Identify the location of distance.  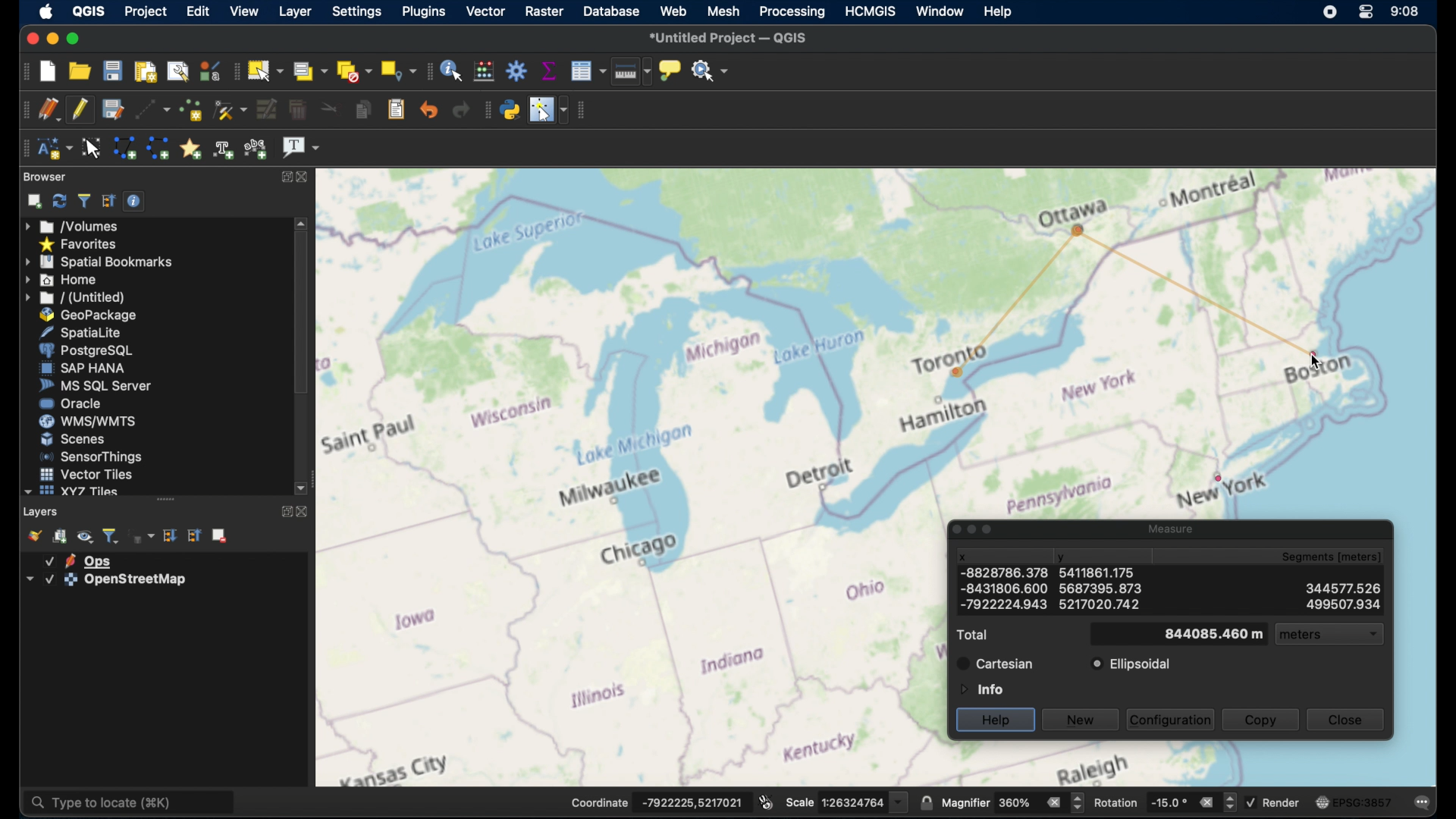
(1189, 287).